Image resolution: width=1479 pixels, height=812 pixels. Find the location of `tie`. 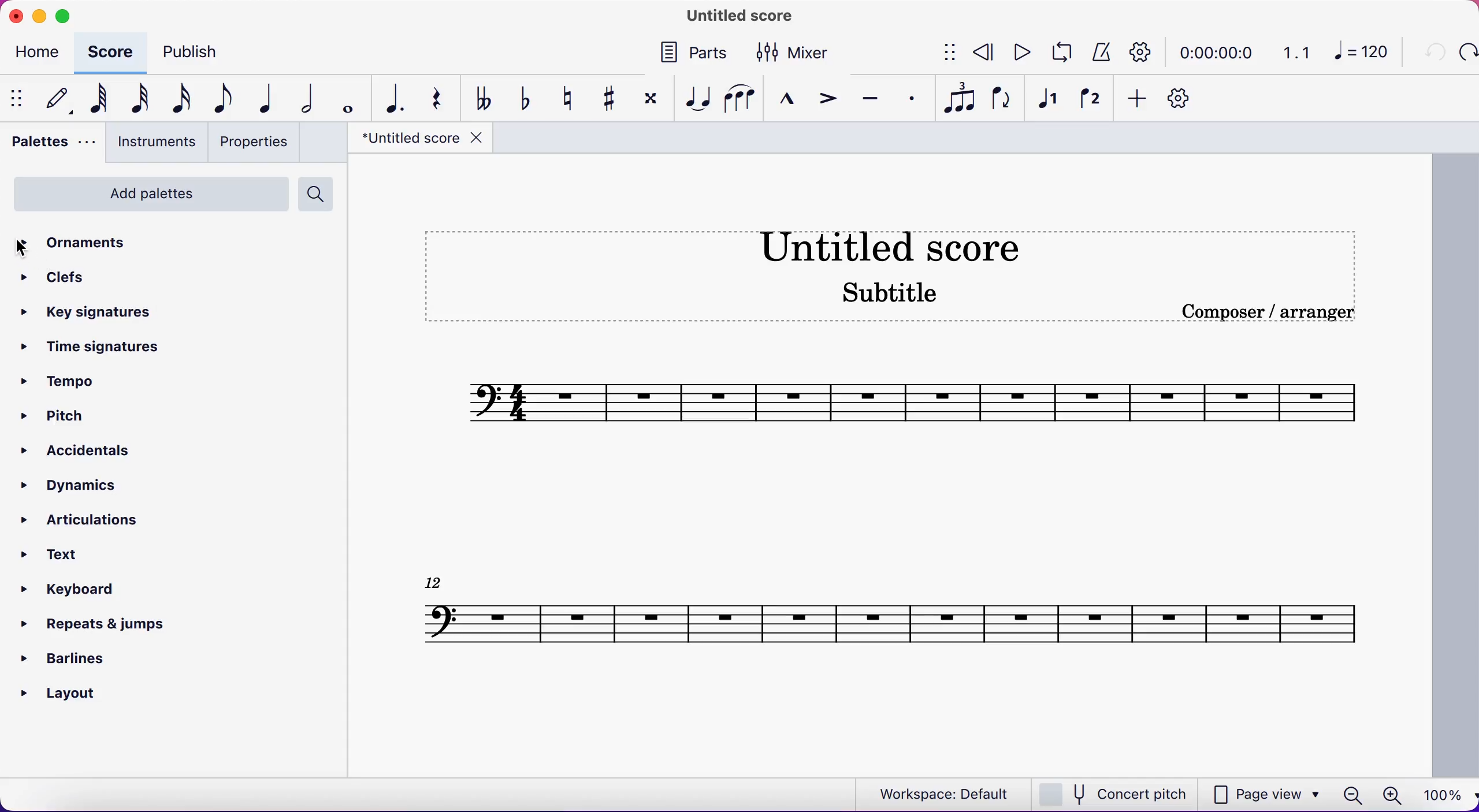

tie is located at coordinates (697, 98).